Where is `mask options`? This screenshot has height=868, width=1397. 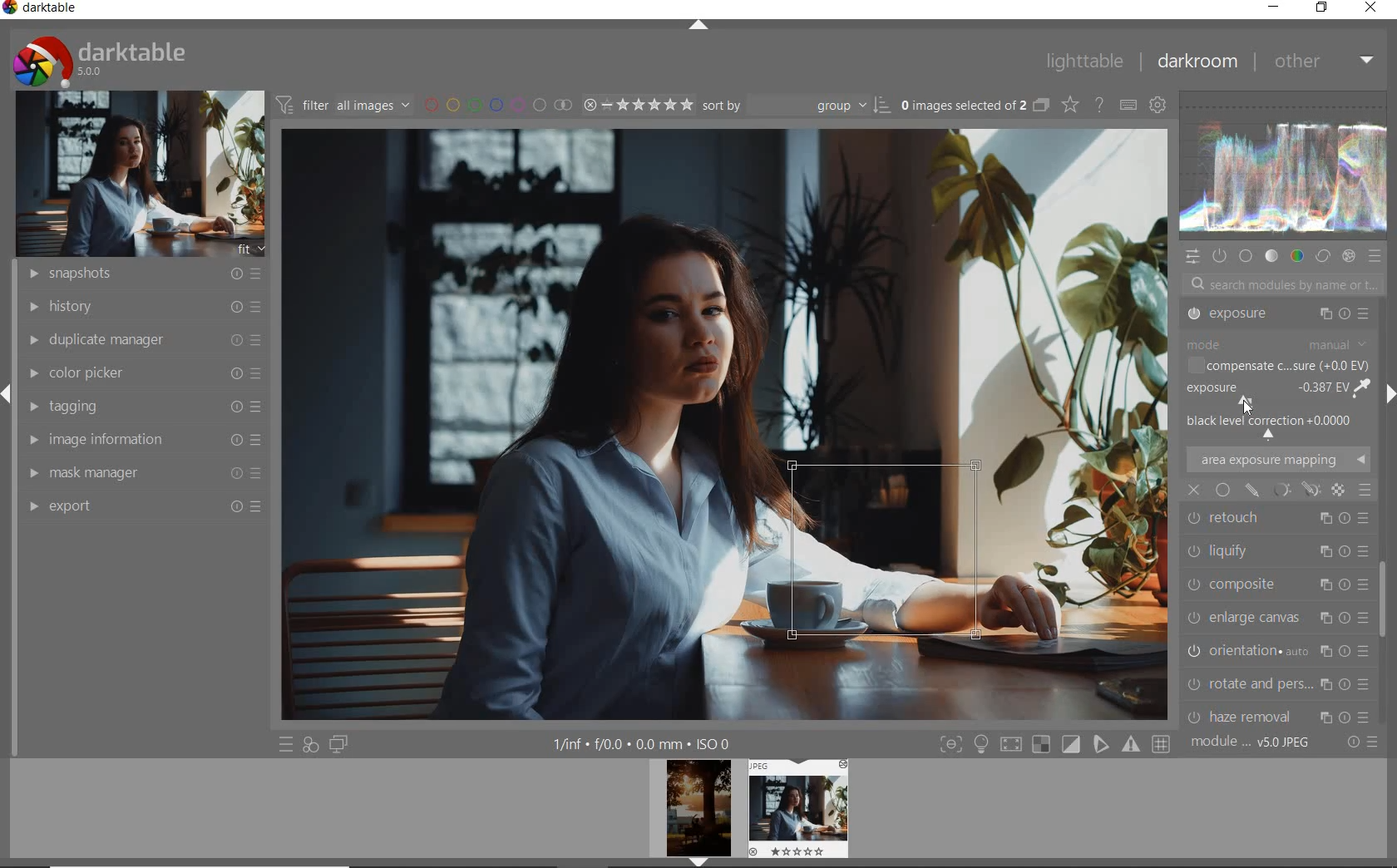 mask options is located at coordinates (1294, 489).